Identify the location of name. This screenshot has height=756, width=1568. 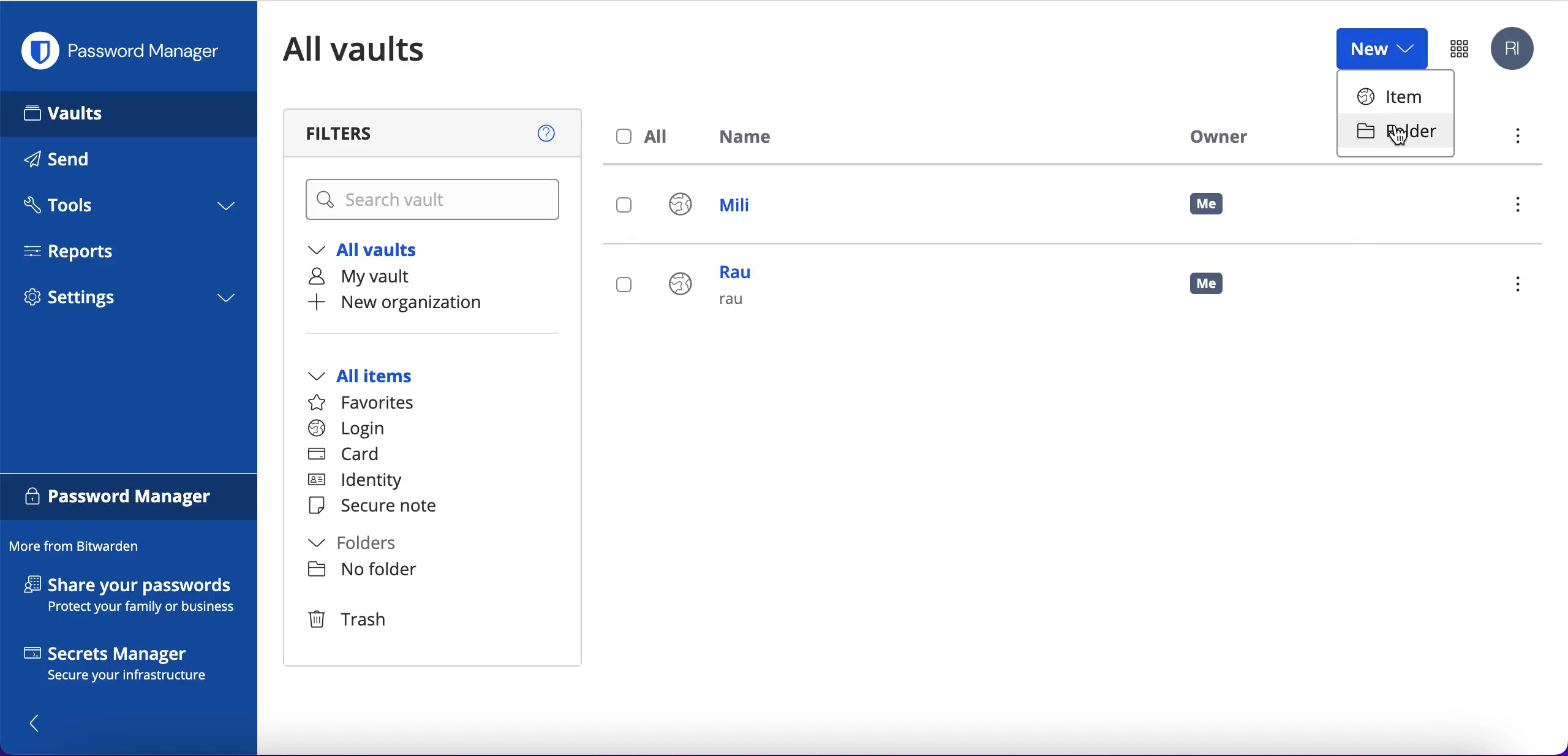
(753, 139).